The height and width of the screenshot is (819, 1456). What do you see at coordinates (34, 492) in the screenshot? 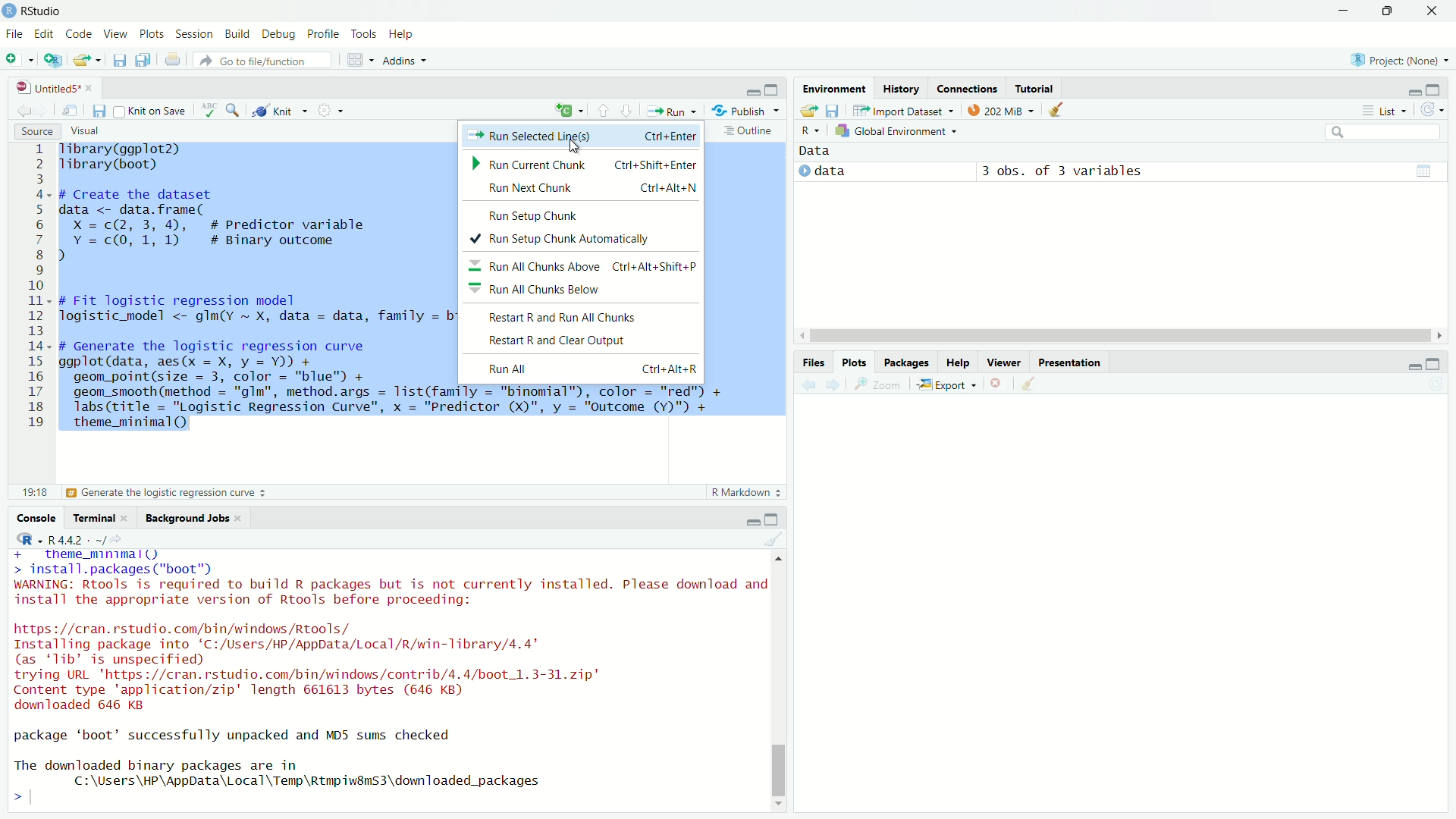
I see `10:1` at bounding box center [34, 492].